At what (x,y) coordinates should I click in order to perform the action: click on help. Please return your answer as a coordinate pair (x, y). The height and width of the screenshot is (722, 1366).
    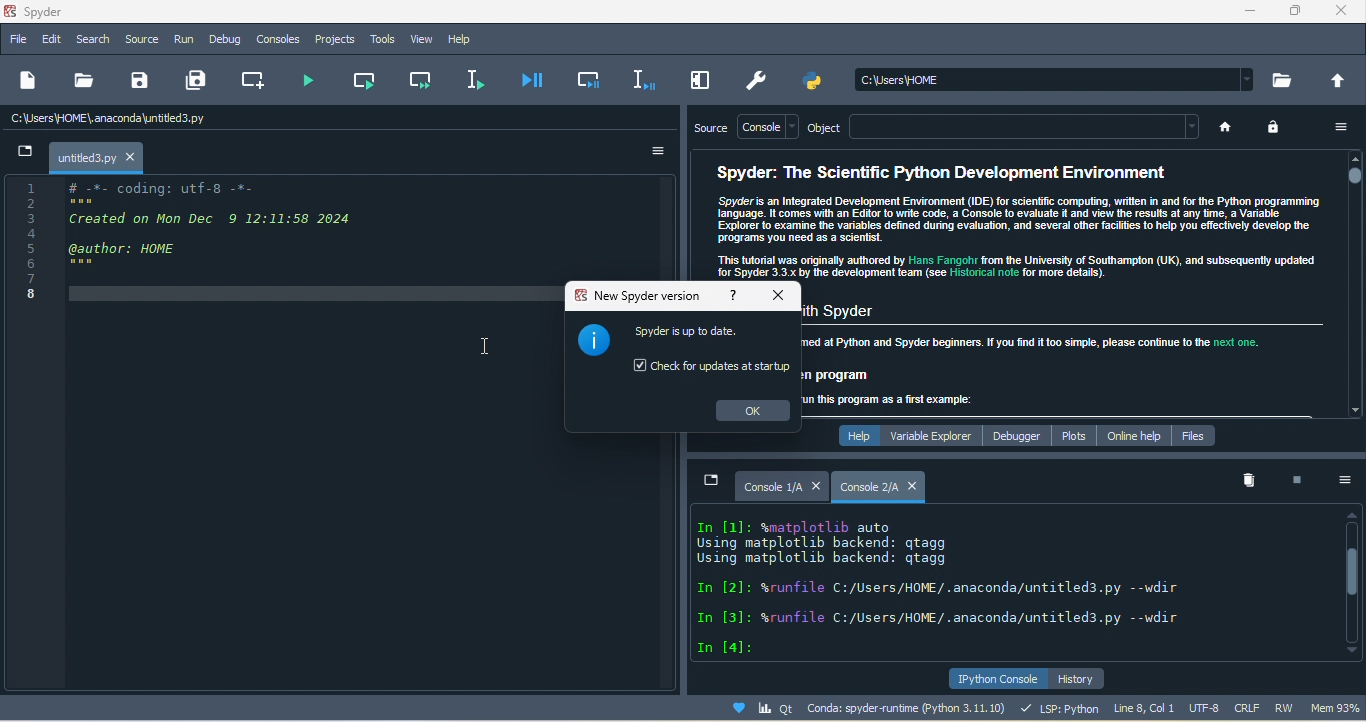
    Looking at the image, I should click on (853, 435).